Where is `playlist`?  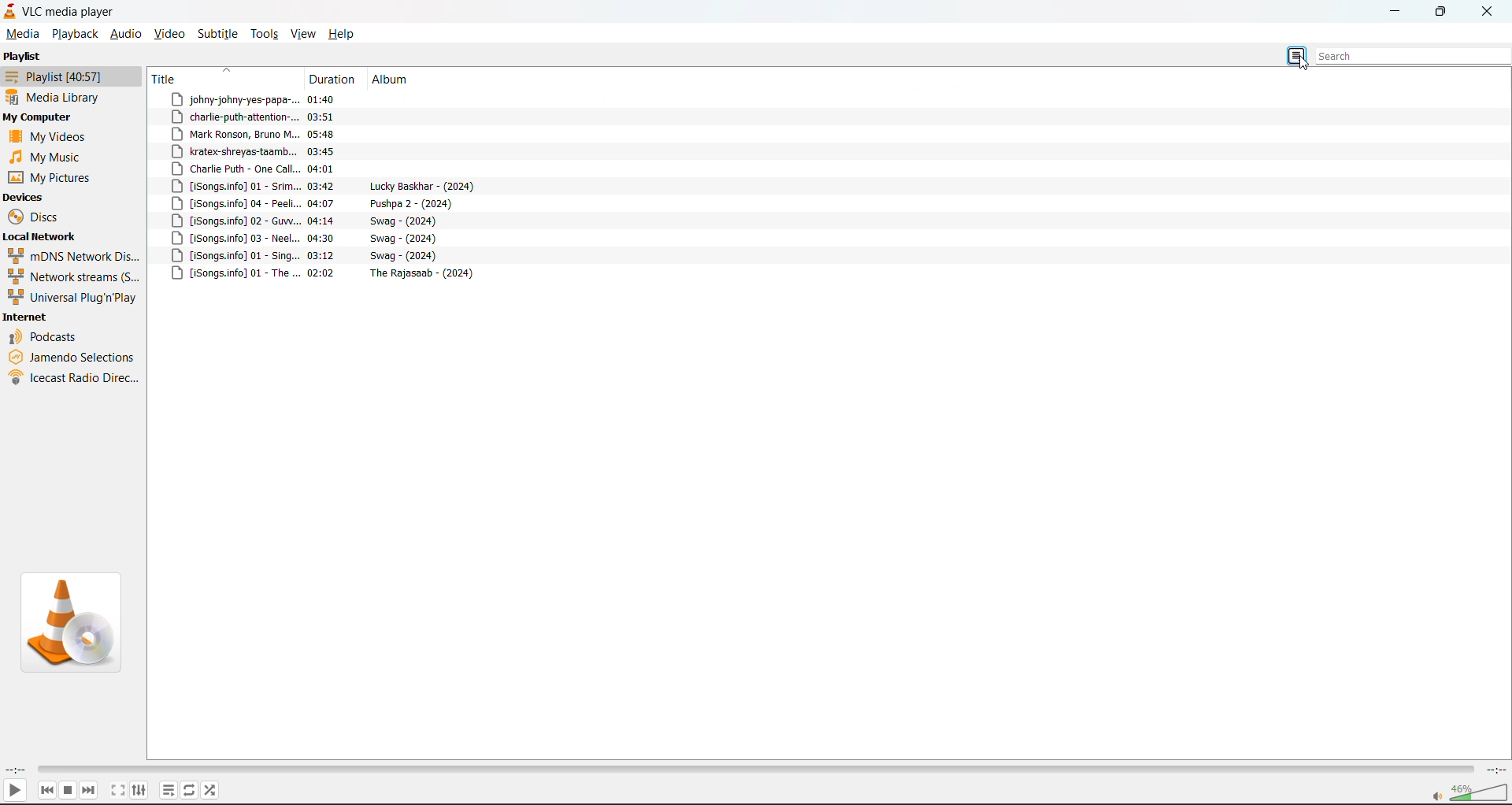
playlist is located at coordinates (60, 76).